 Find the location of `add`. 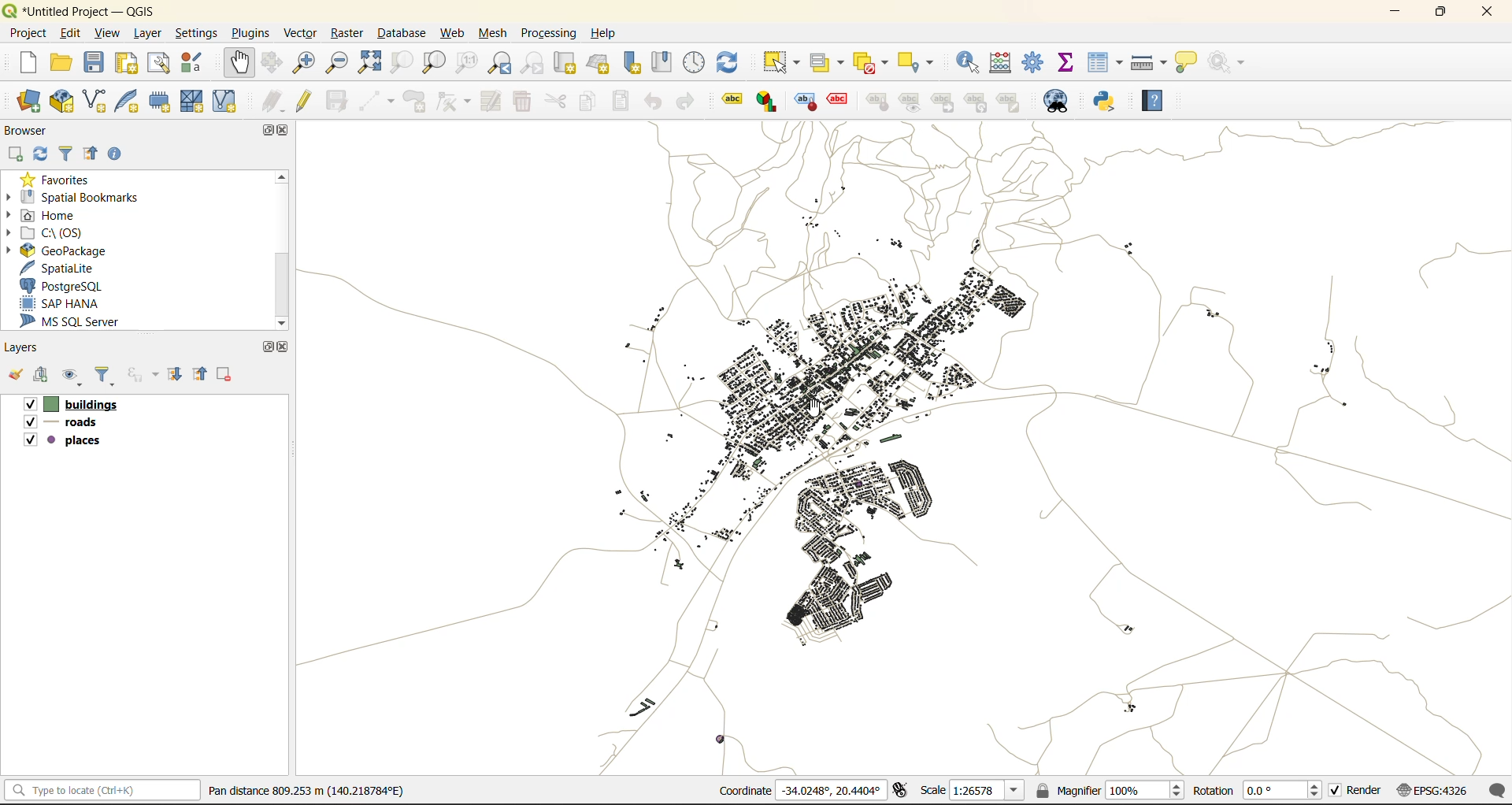

add is located at coordinates (13, 154).